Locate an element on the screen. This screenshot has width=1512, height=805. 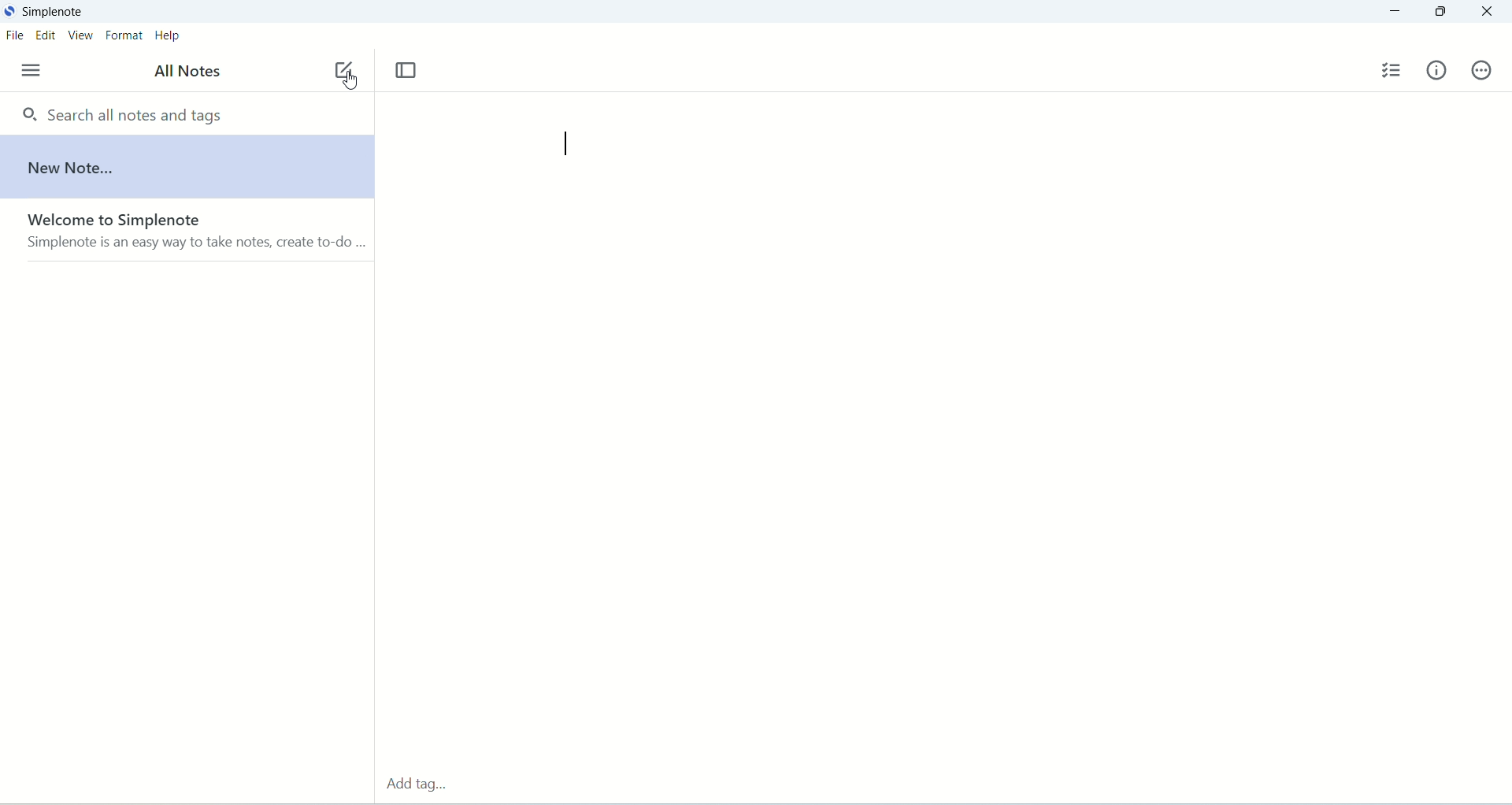
close is located at coordinates (1495, 13).